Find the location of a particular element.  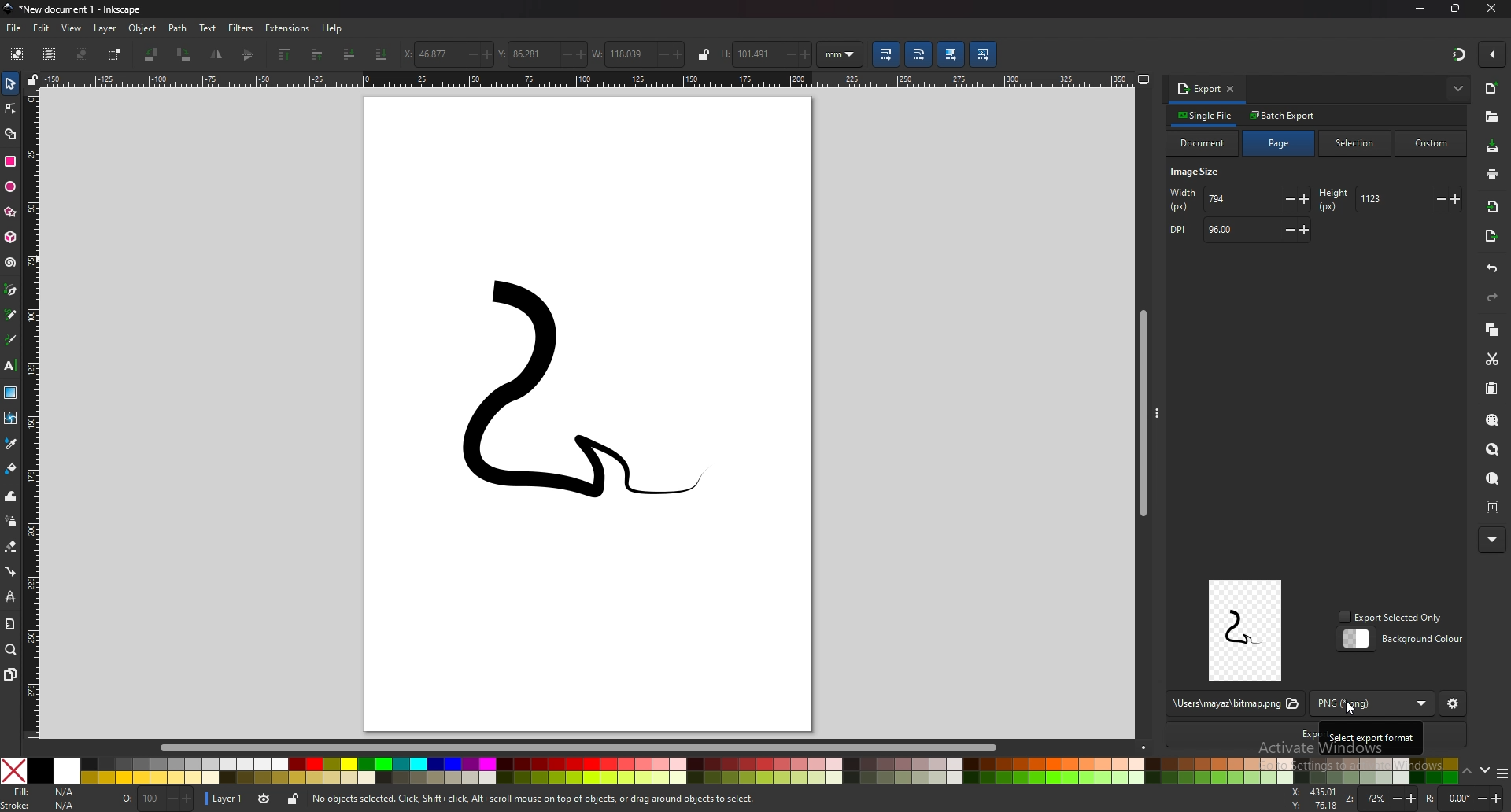

custom is located at coordinates (1432, 144).